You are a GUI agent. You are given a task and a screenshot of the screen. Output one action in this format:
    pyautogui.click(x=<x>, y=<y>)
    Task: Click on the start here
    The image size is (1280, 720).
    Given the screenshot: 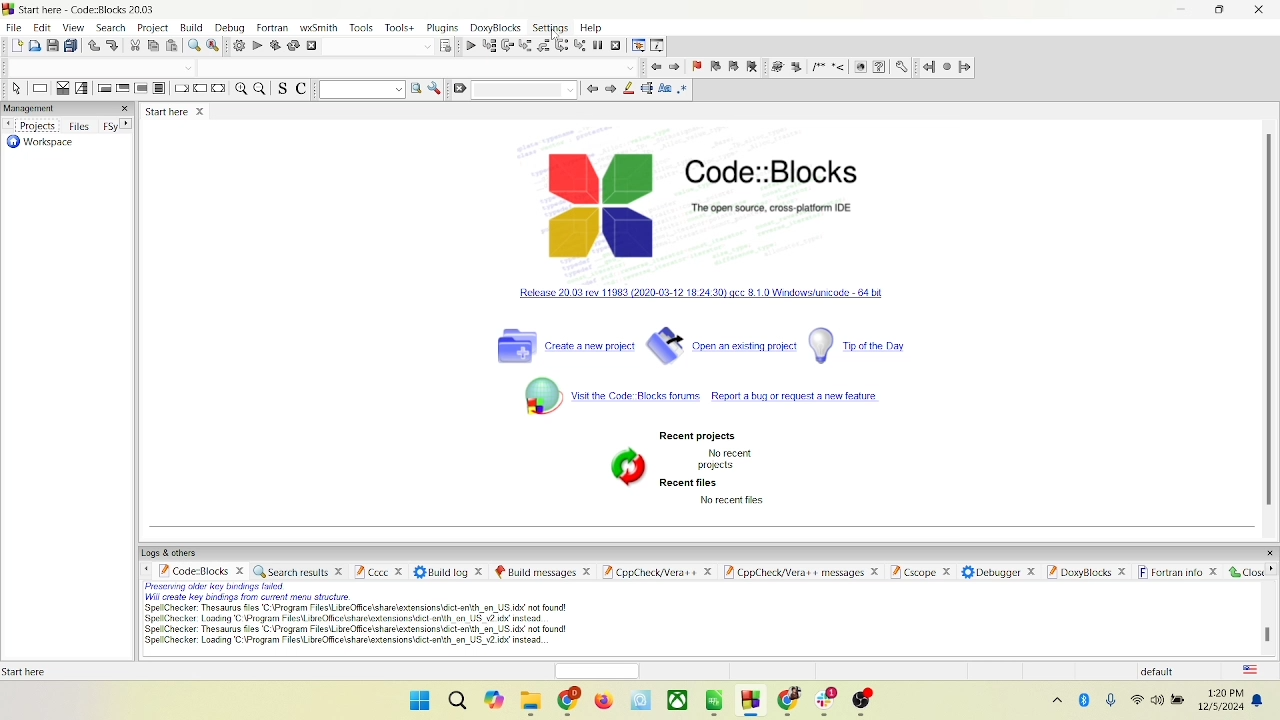 What is the action you would take?
    pyautogui.click(x=177, y=111)
    